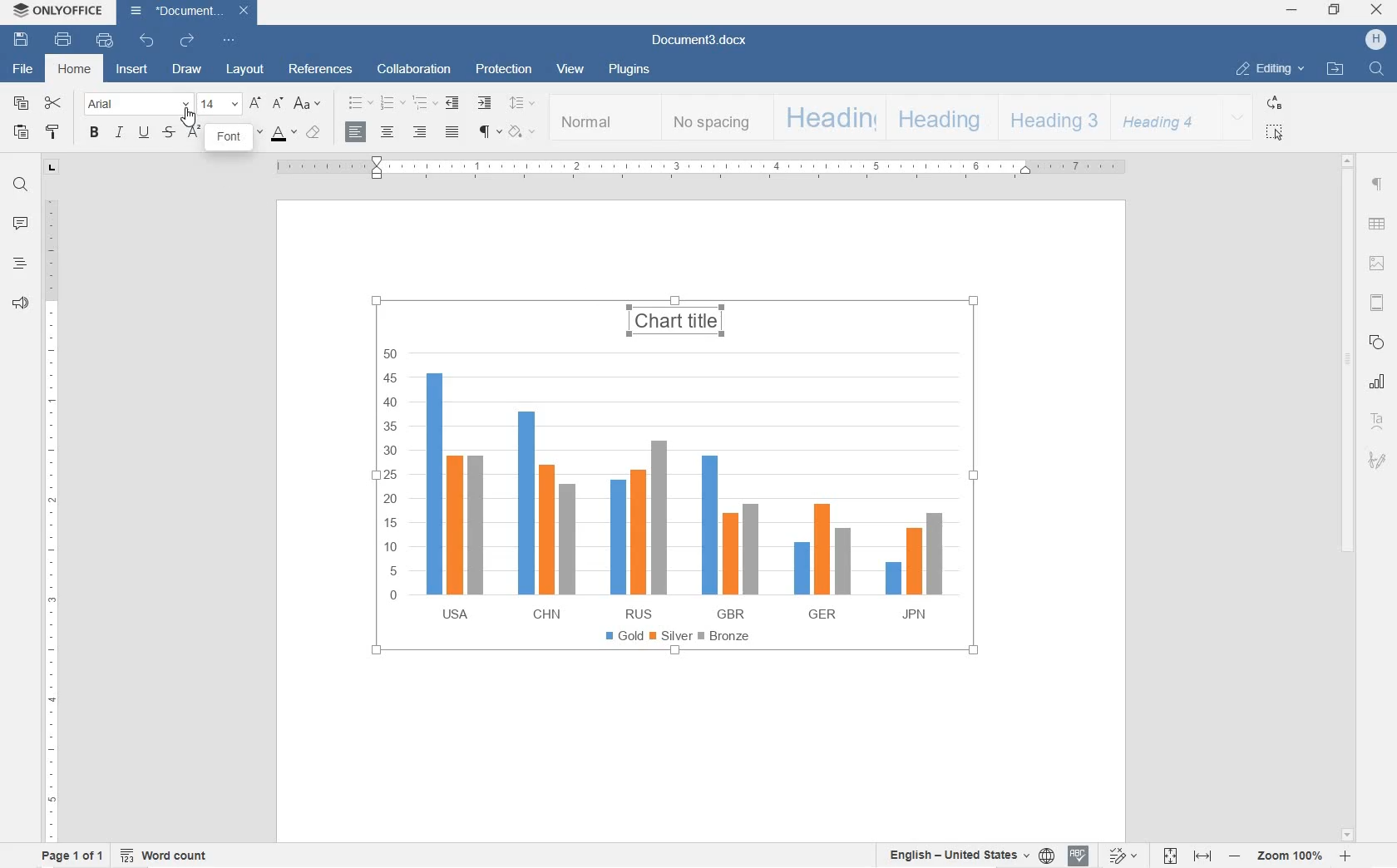 The width and height of the screenshot is (1397, 868). I want to click on RULER, so click(693, 169).